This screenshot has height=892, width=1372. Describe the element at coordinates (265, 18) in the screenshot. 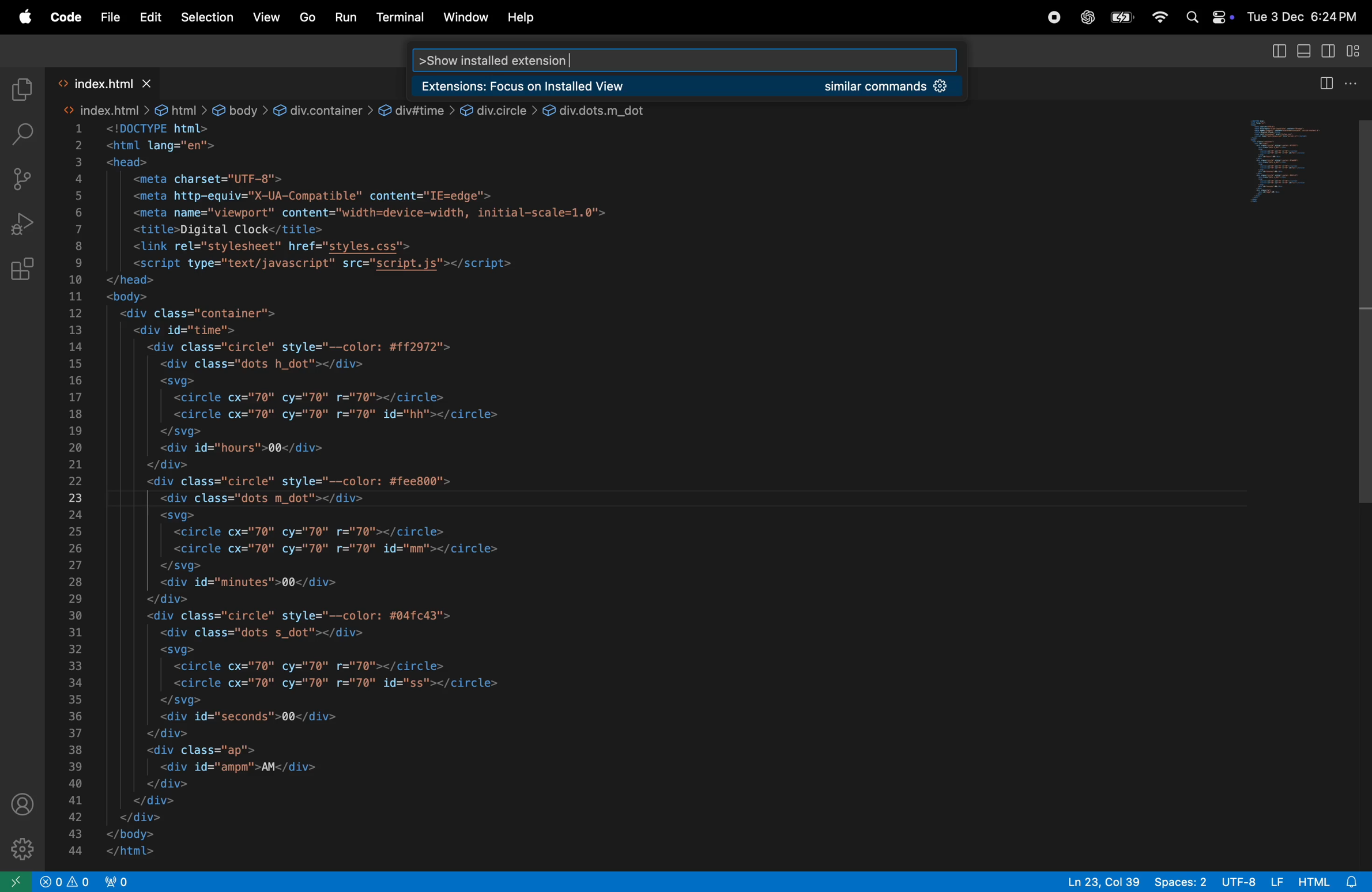

I see `View` at that location.